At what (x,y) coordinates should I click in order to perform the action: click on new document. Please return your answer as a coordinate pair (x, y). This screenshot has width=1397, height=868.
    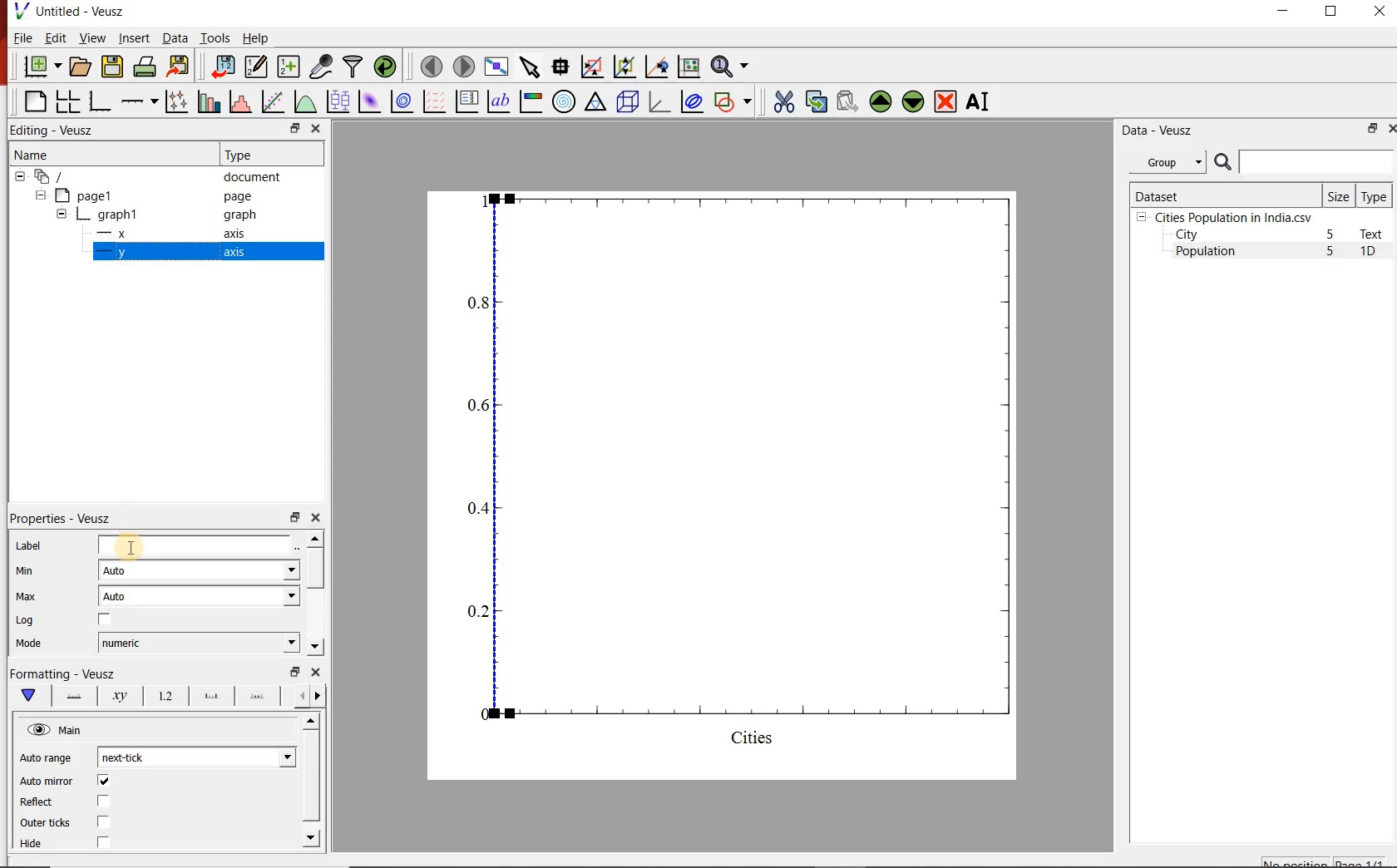
    Looking at the image, I should click on (39, 67).